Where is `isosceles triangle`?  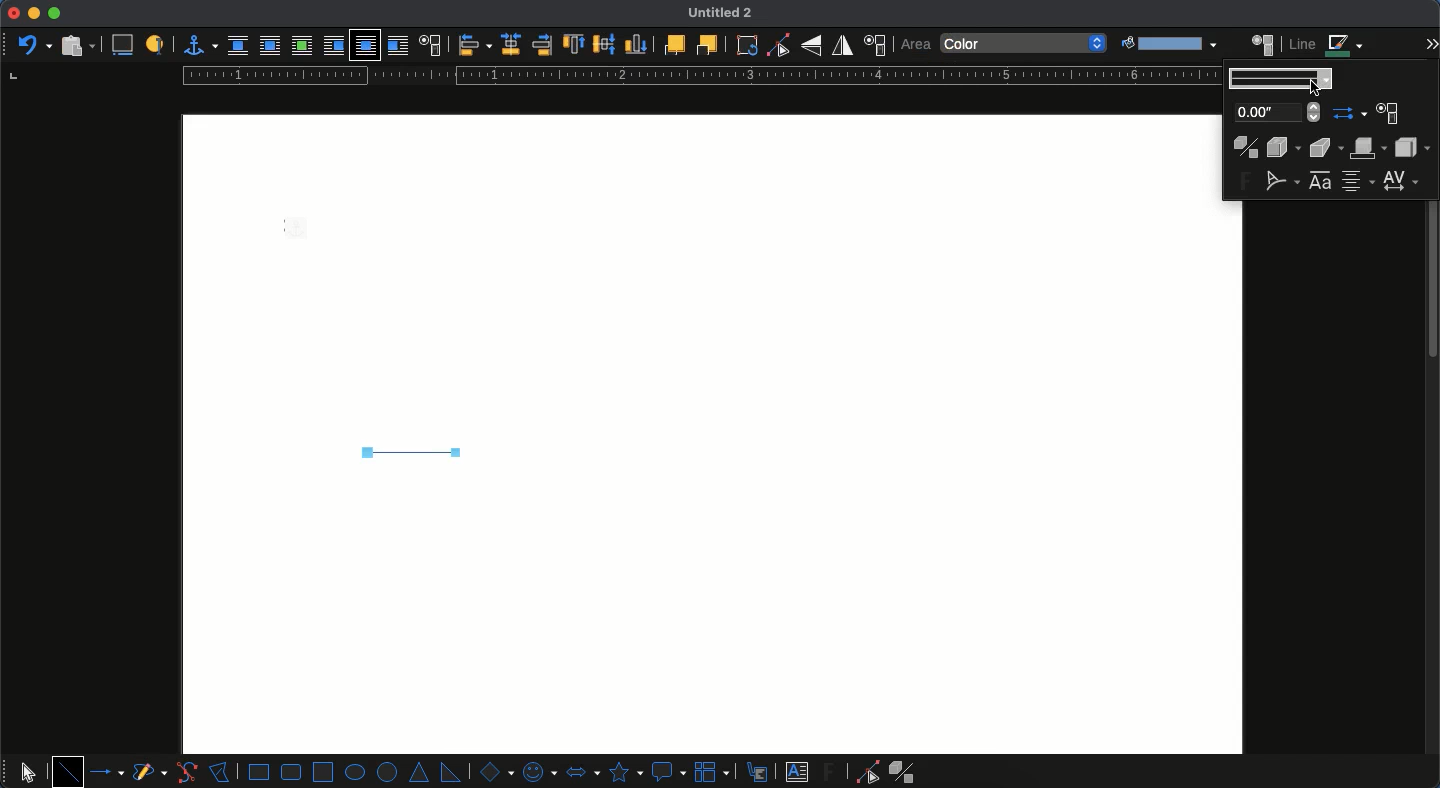
isosceles triangle is located at coordinates (421, 773).